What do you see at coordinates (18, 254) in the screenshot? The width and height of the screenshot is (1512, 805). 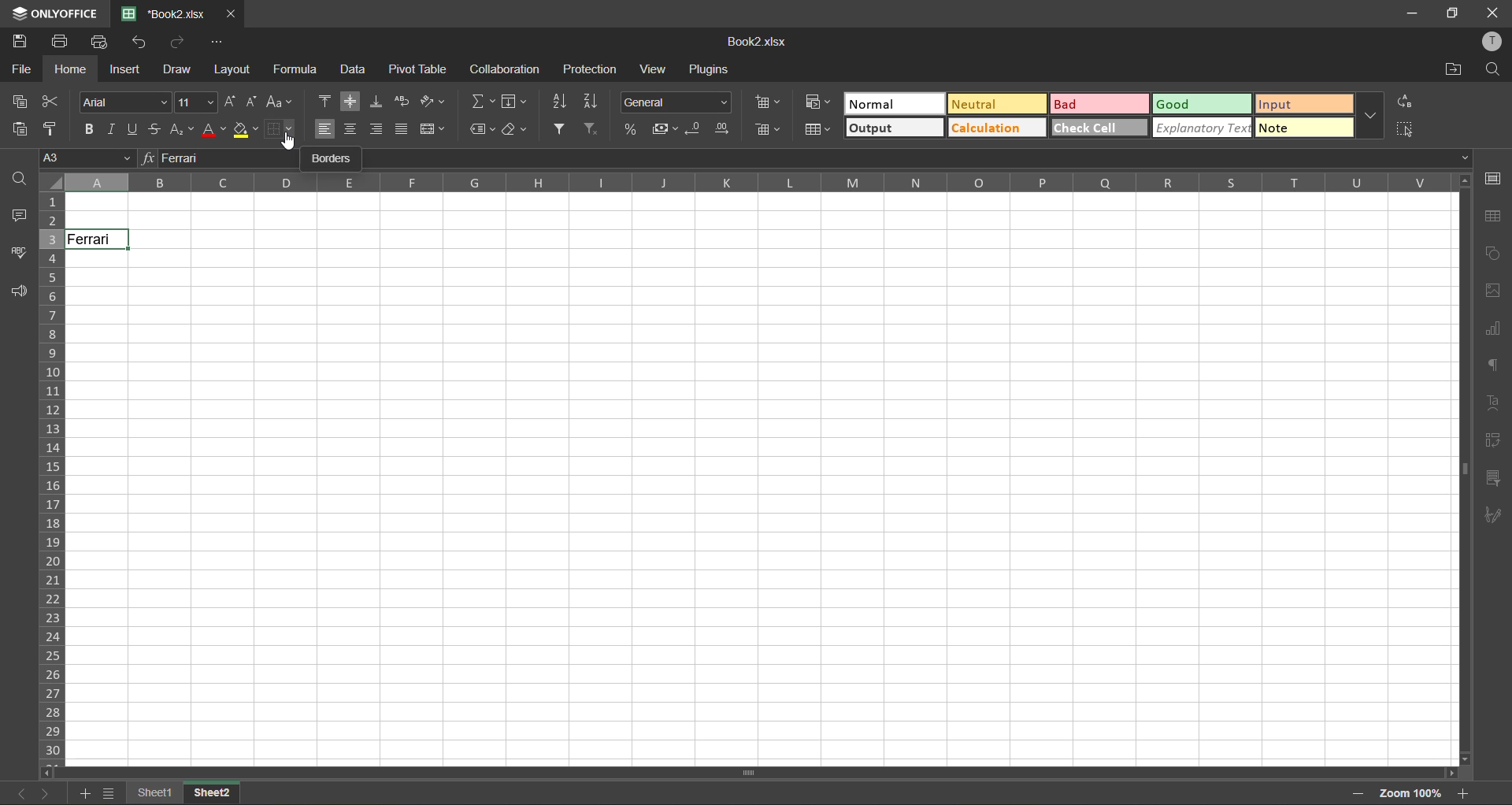 I see `spellcheck` at bounding box center [18, 254].